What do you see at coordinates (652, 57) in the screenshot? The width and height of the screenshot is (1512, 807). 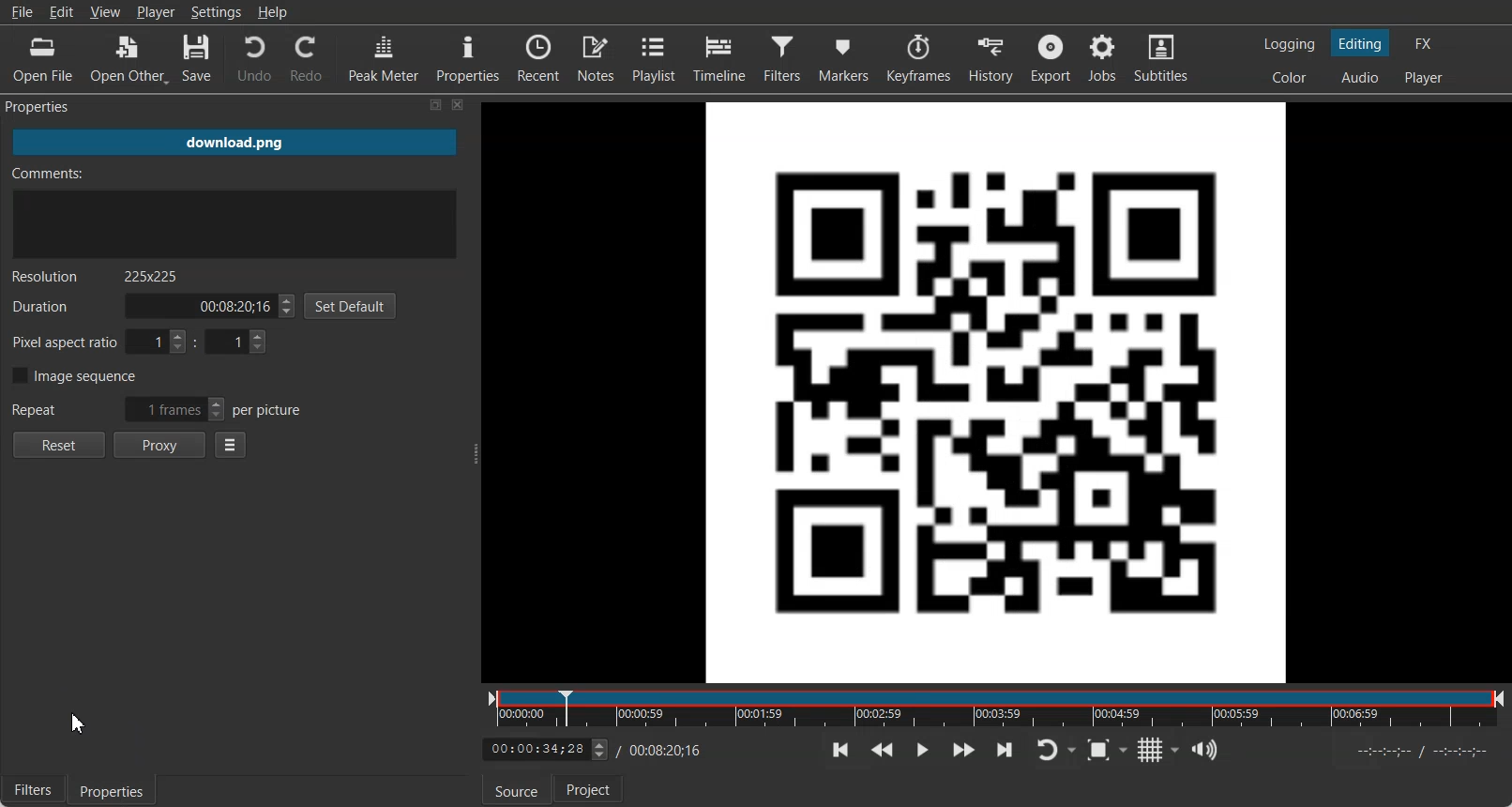 I see `Playlist` at bounding box center [652, 57].